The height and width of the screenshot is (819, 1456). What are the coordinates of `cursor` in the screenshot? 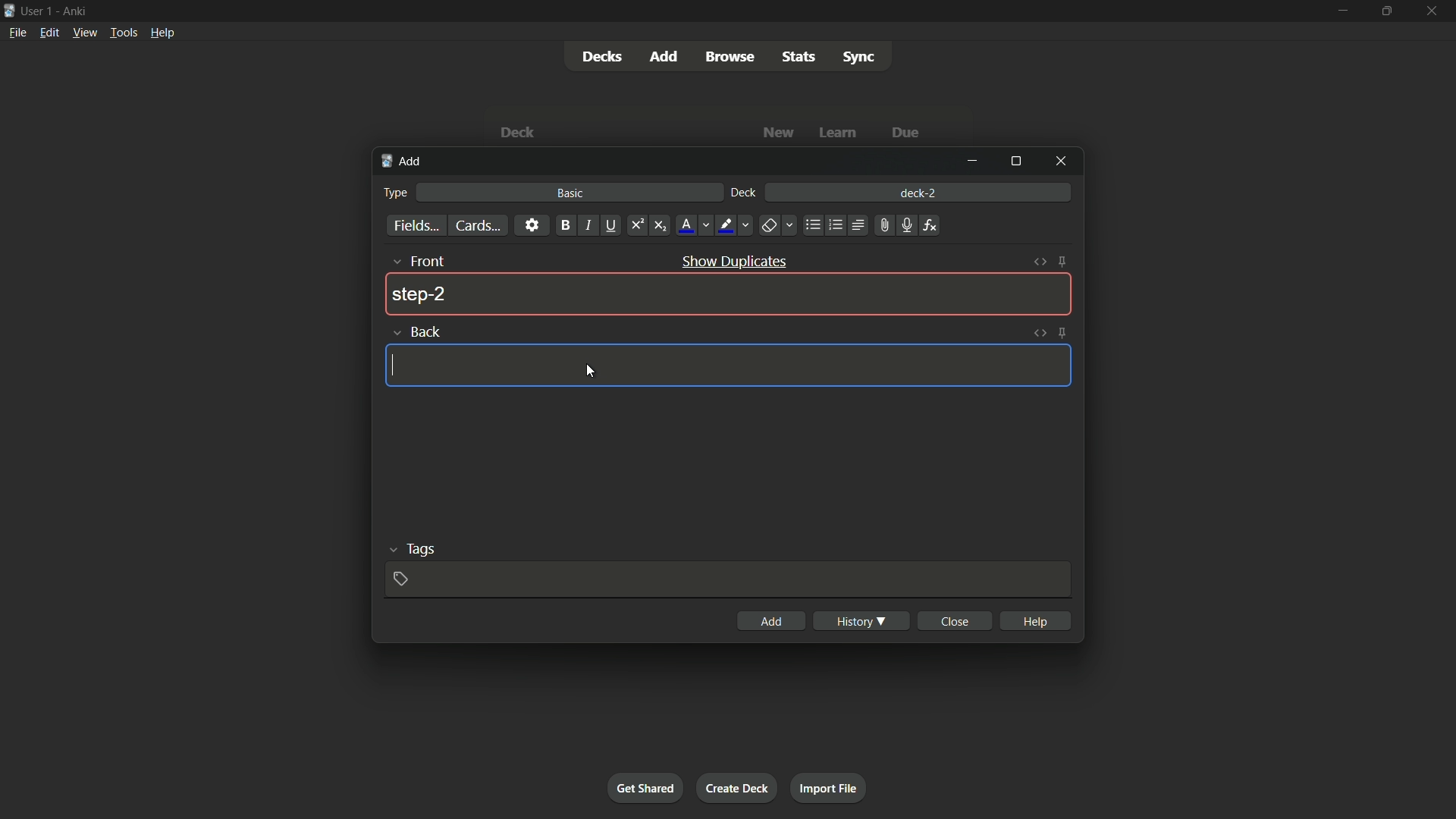 It's located at (593, 372).